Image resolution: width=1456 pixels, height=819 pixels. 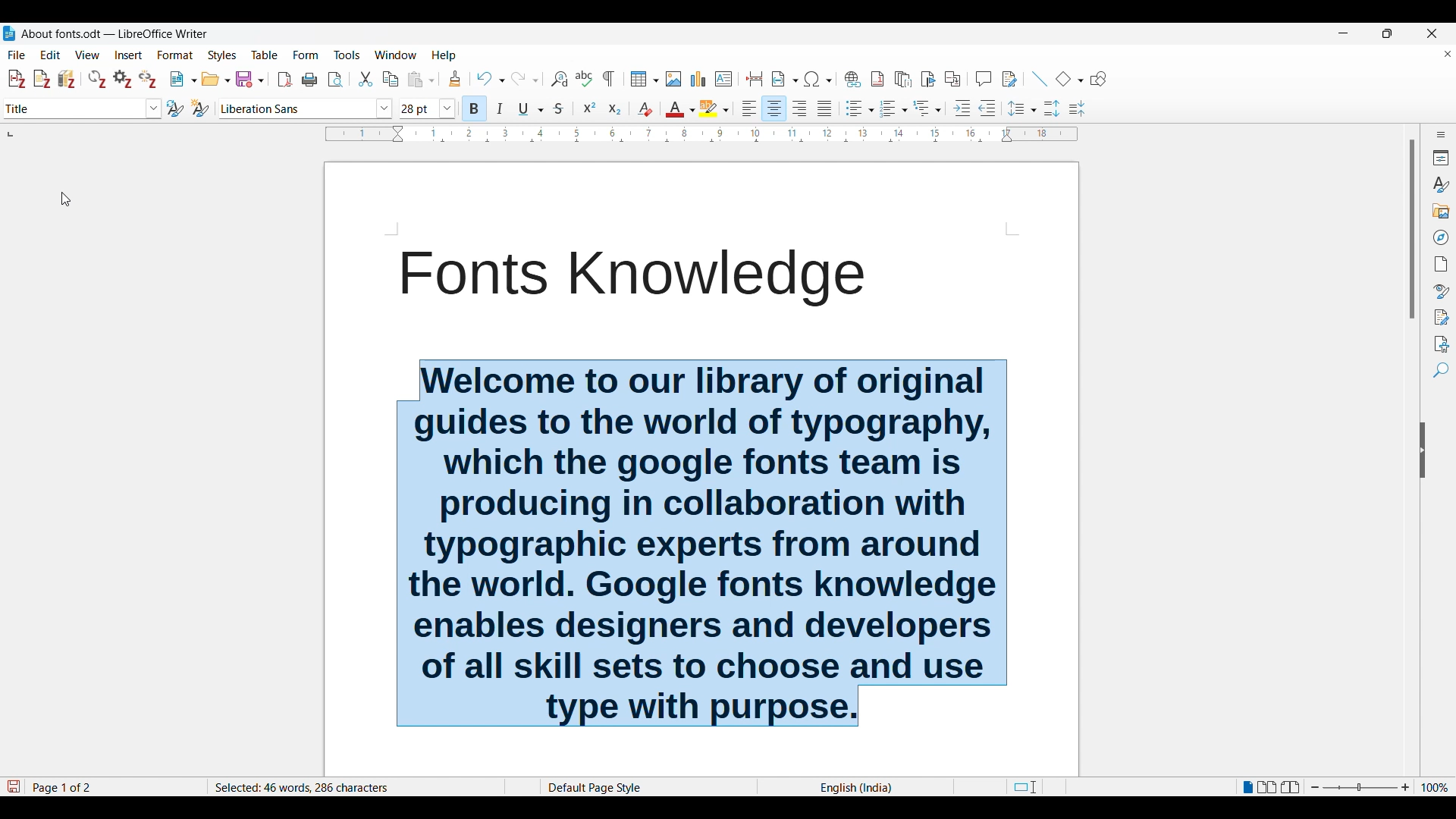 What do you see at coordinates (1442, 211) in the screenshot?
I see `Gallery ` at bounding box center [1442, 211].